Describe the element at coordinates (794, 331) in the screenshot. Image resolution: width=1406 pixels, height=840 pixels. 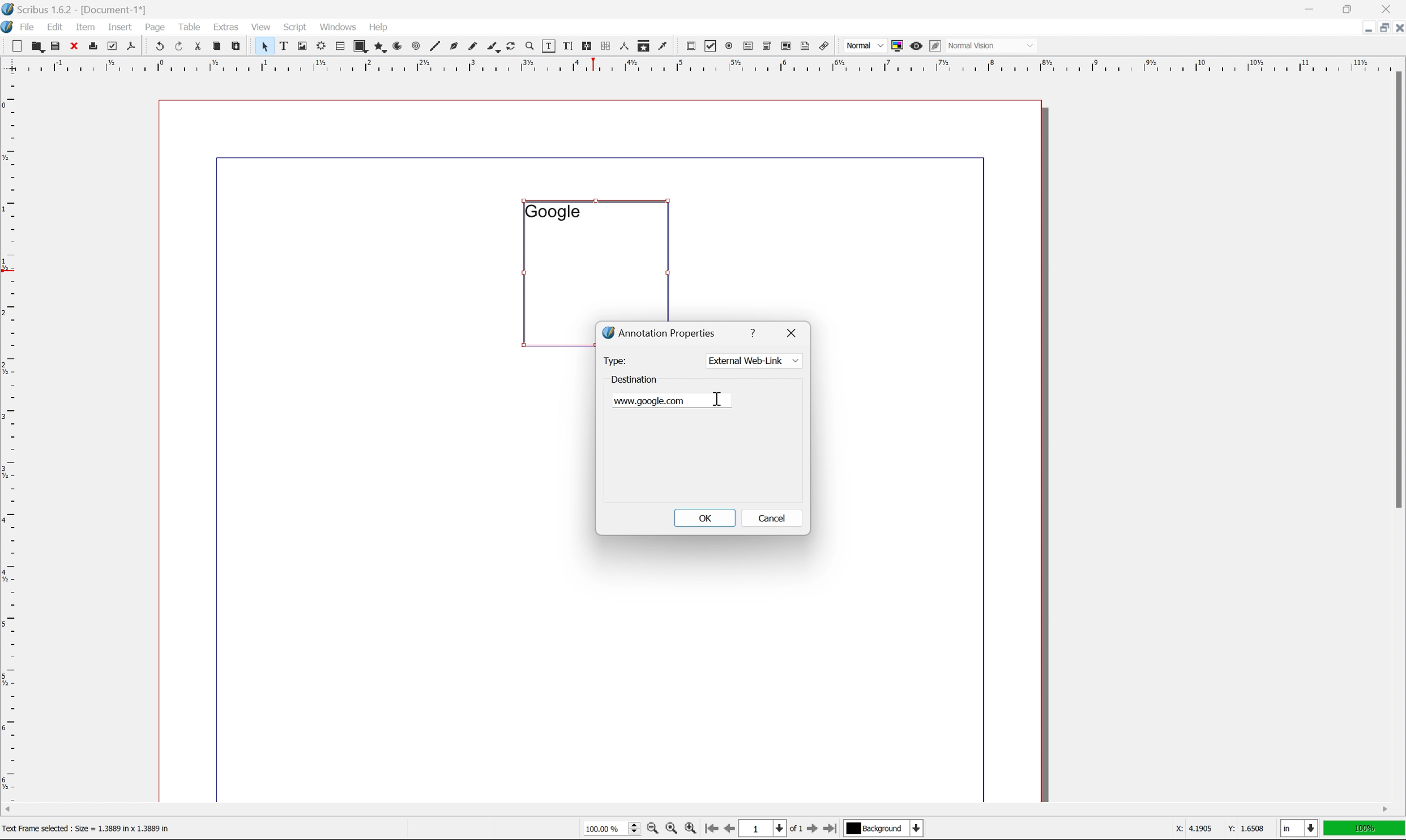
I see `close` at that location.